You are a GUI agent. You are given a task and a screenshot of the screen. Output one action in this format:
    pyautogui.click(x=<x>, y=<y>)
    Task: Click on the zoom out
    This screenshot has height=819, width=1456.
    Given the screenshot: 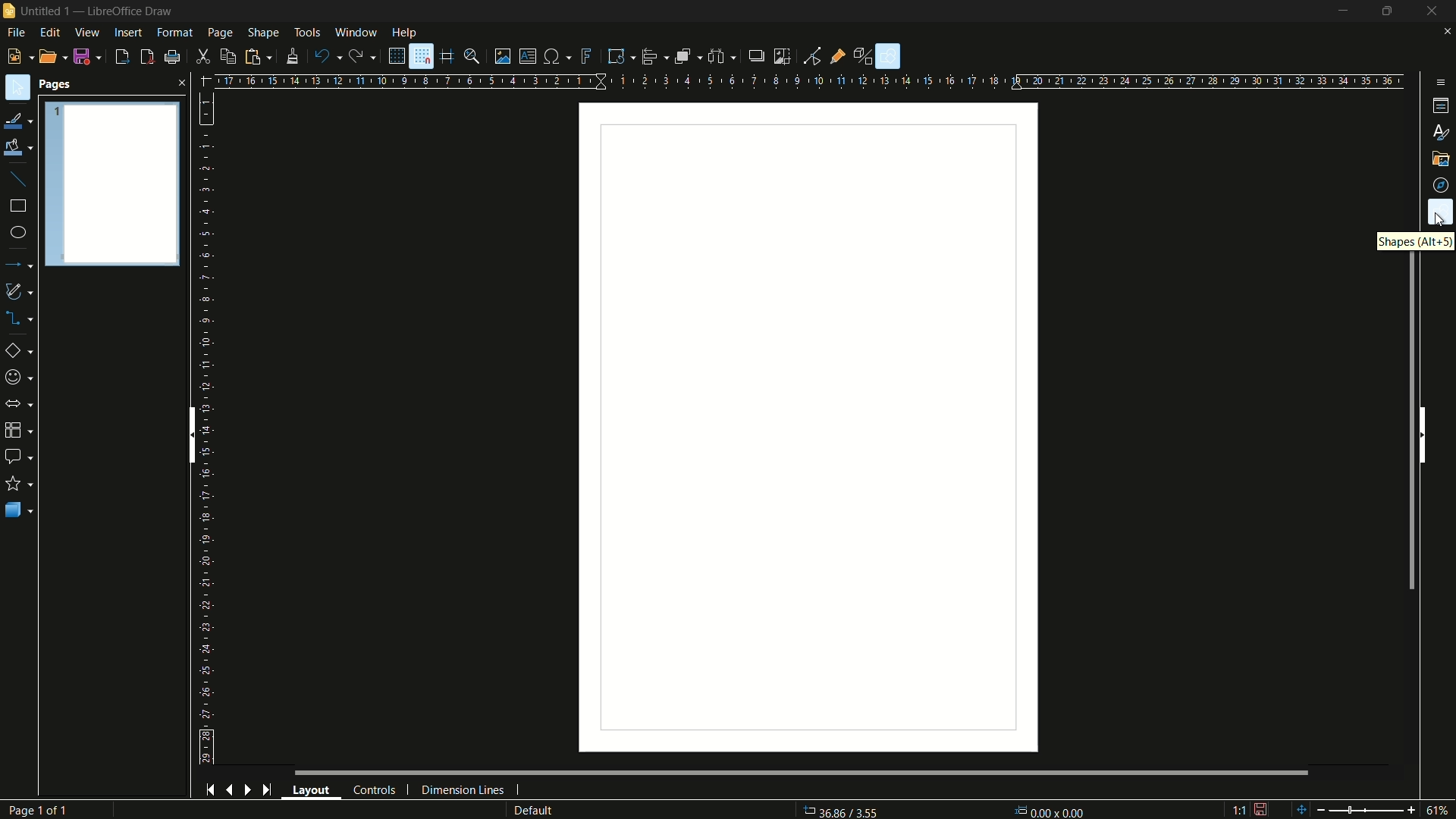 What is the action you would take?
    pyautogui.click(x=1345, y=810)
    